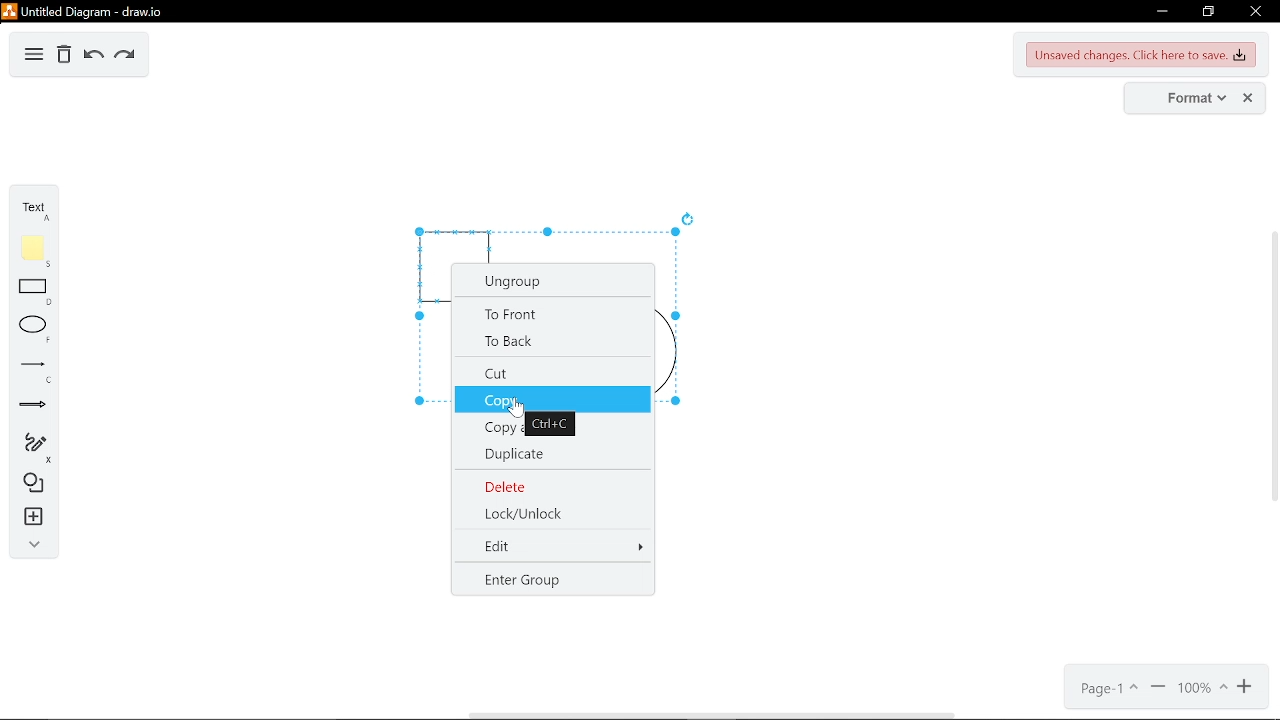  I want to click on shapes, so click(30, 484).